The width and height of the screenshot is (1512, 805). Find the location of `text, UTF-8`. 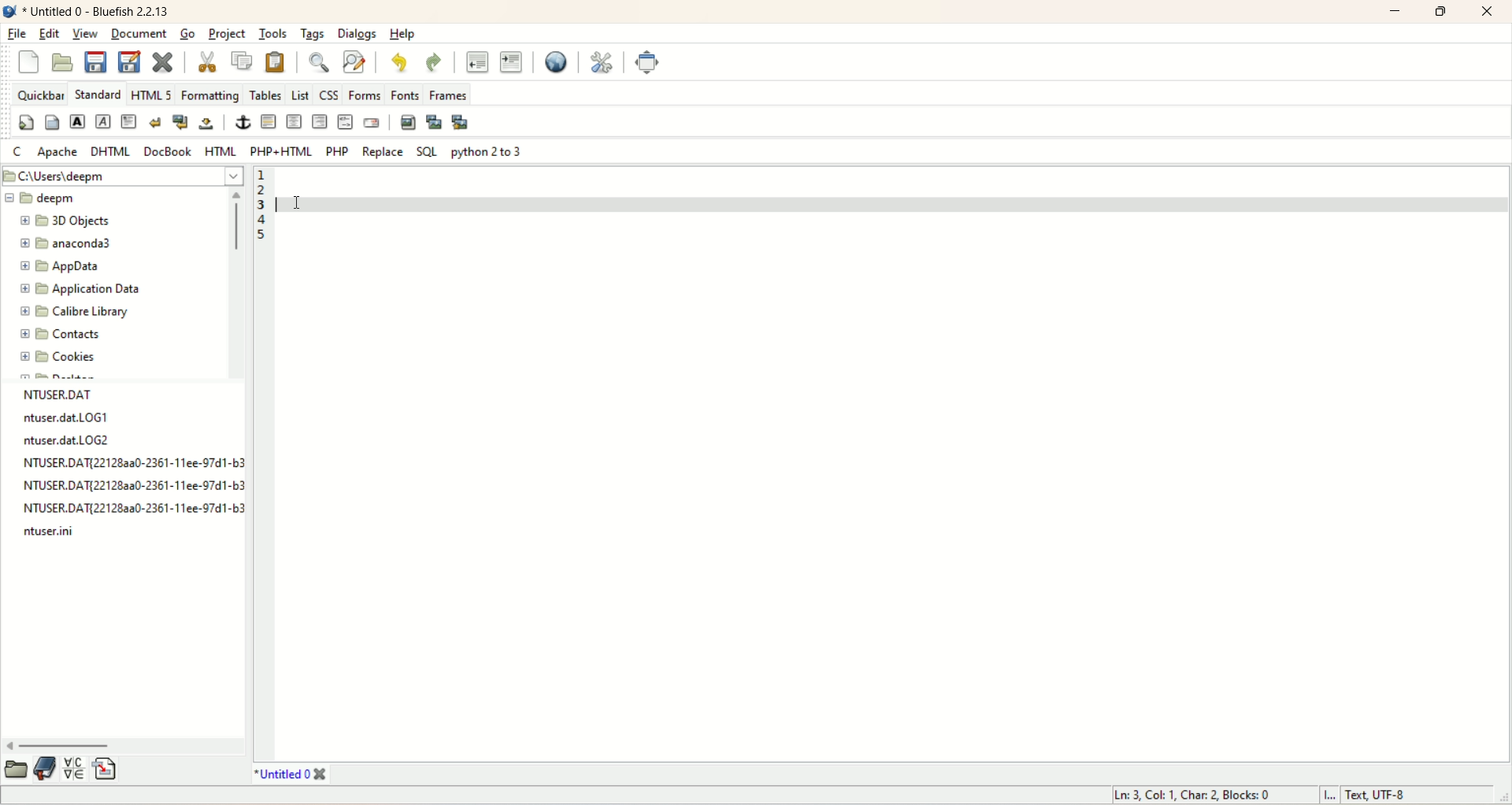

text, UTF-8 is located at coordinates (1387, 796).